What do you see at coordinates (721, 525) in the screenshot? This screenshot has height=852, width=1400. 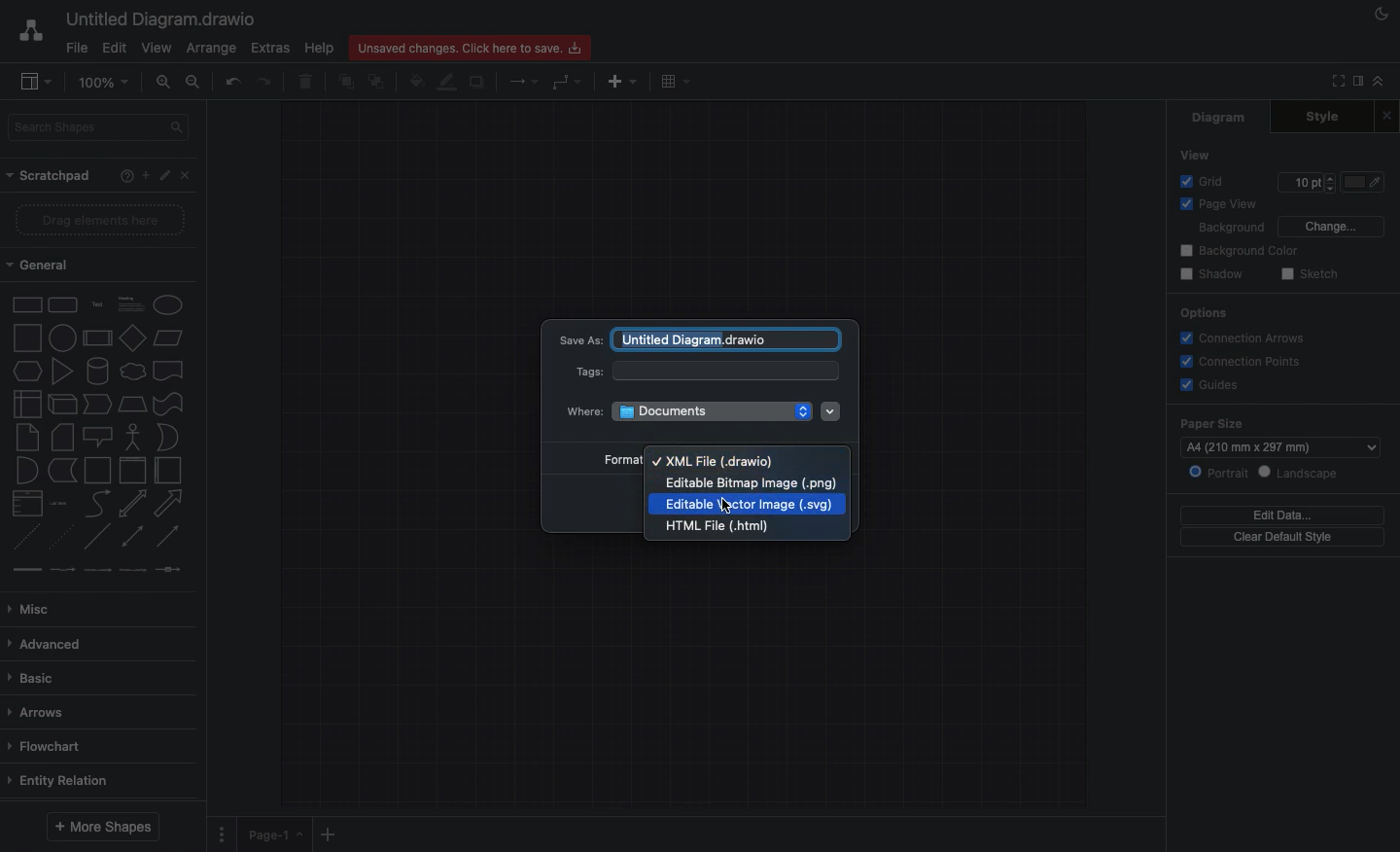 I see `html file` at bounding box center [721, 525].